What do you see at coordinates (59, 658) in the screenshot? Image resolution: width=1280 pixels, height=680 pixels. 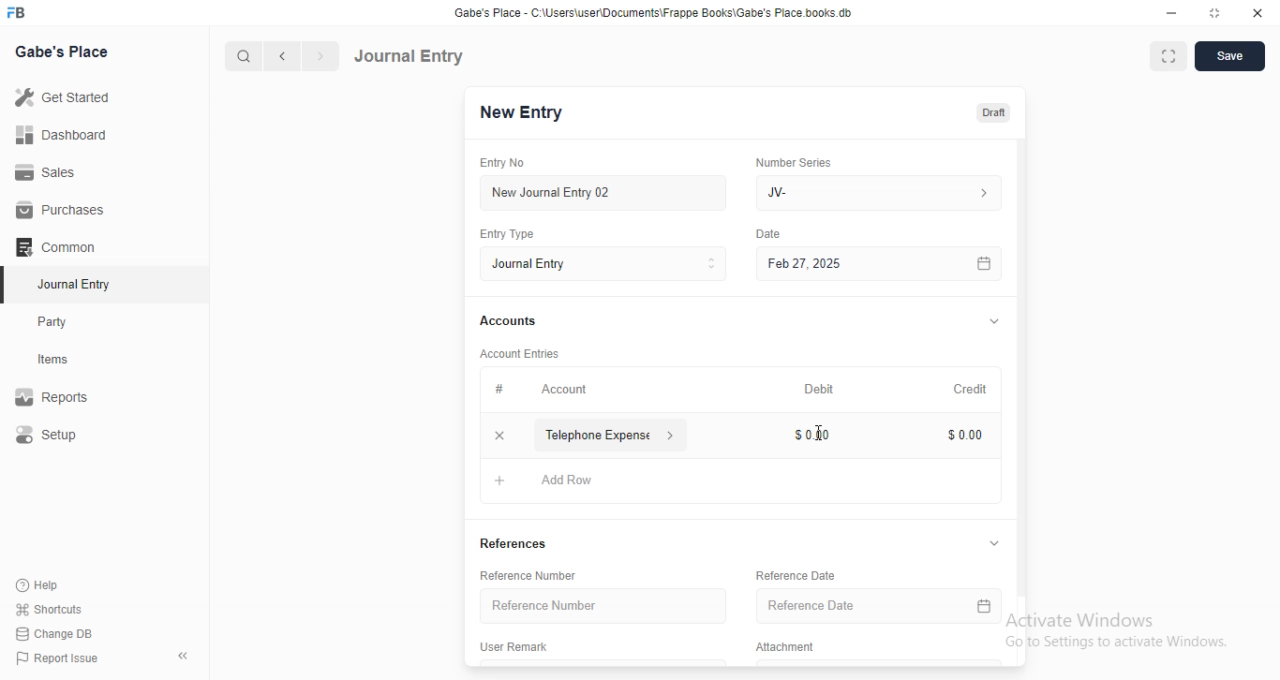 I see `| Report Issue` at bounding box center [59, 658].